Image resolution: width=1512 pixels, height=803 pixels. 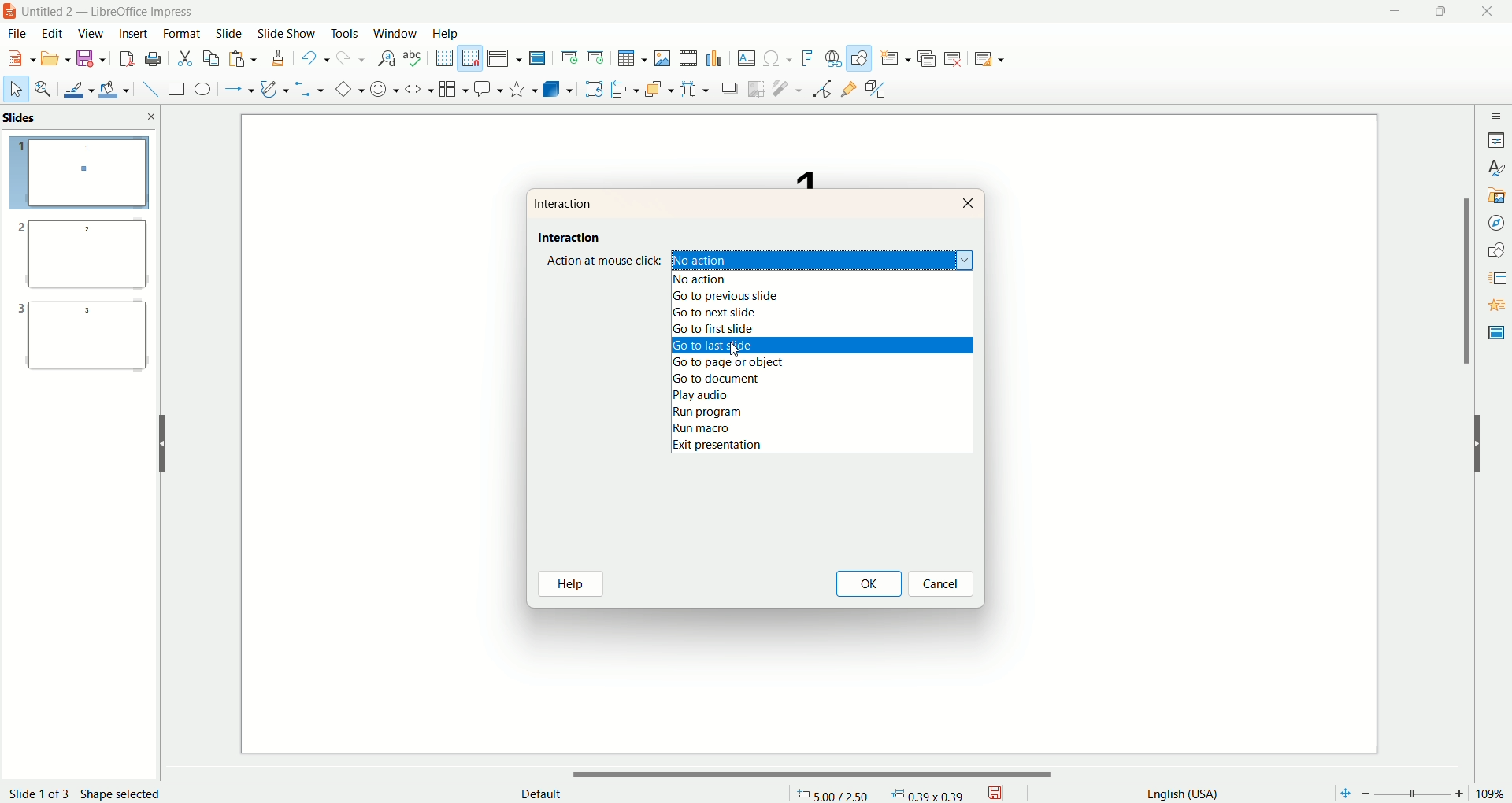 I want to click on redo, so click(x=348, y=61).